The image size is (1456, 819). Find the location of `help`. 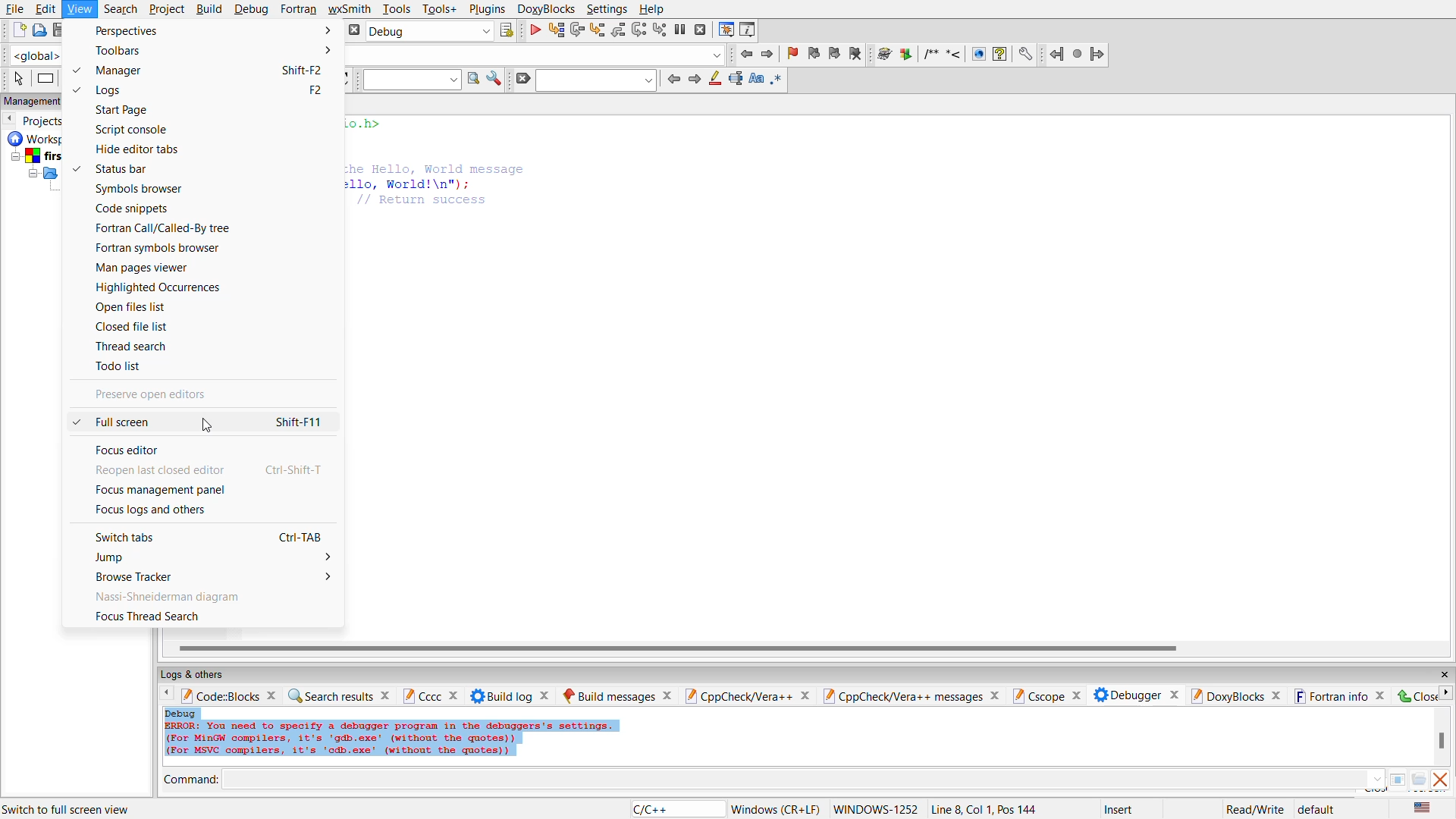

help is located at coordinates (653, 8).